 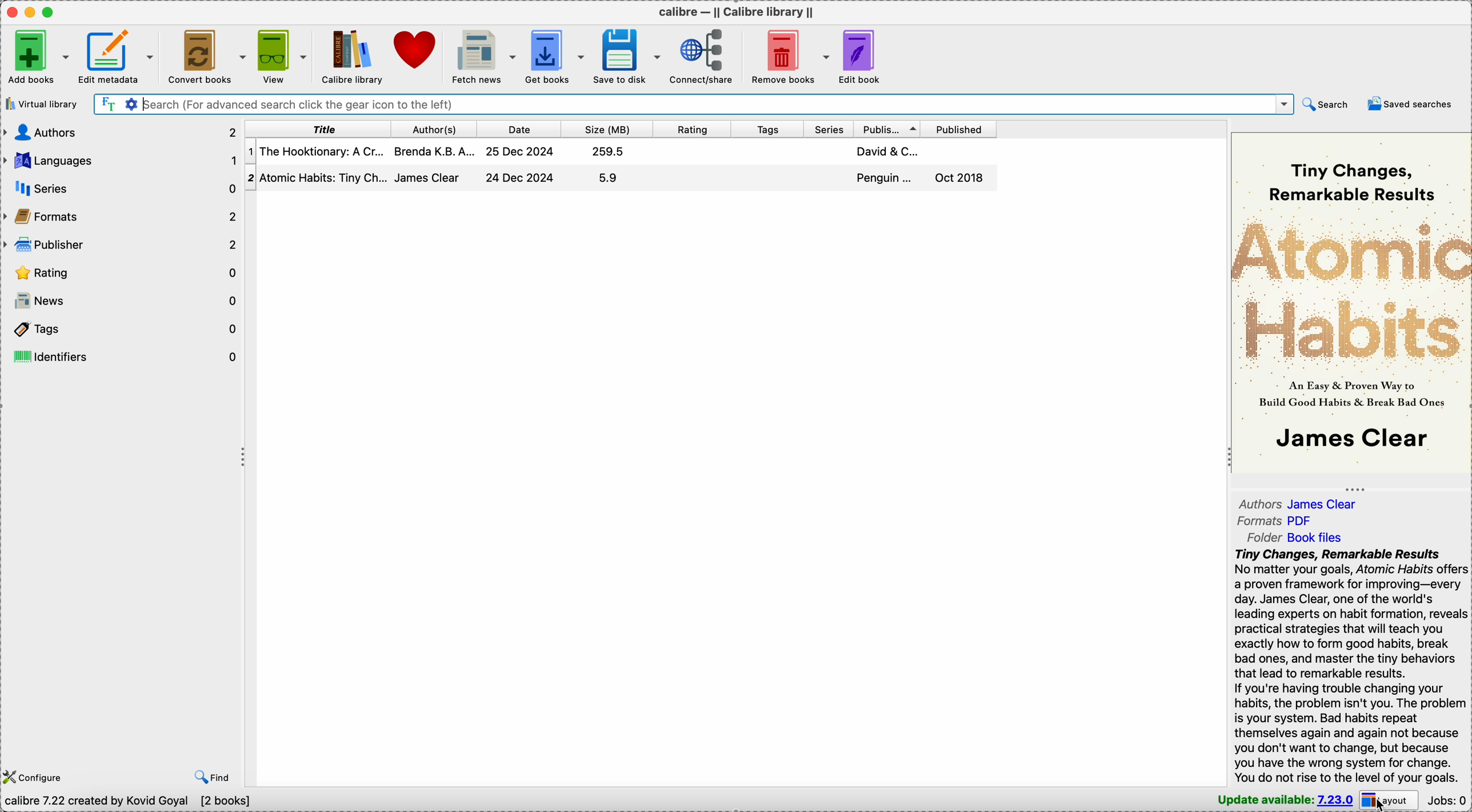 I want to click on folder Book files, so click(x=1295, y=537).